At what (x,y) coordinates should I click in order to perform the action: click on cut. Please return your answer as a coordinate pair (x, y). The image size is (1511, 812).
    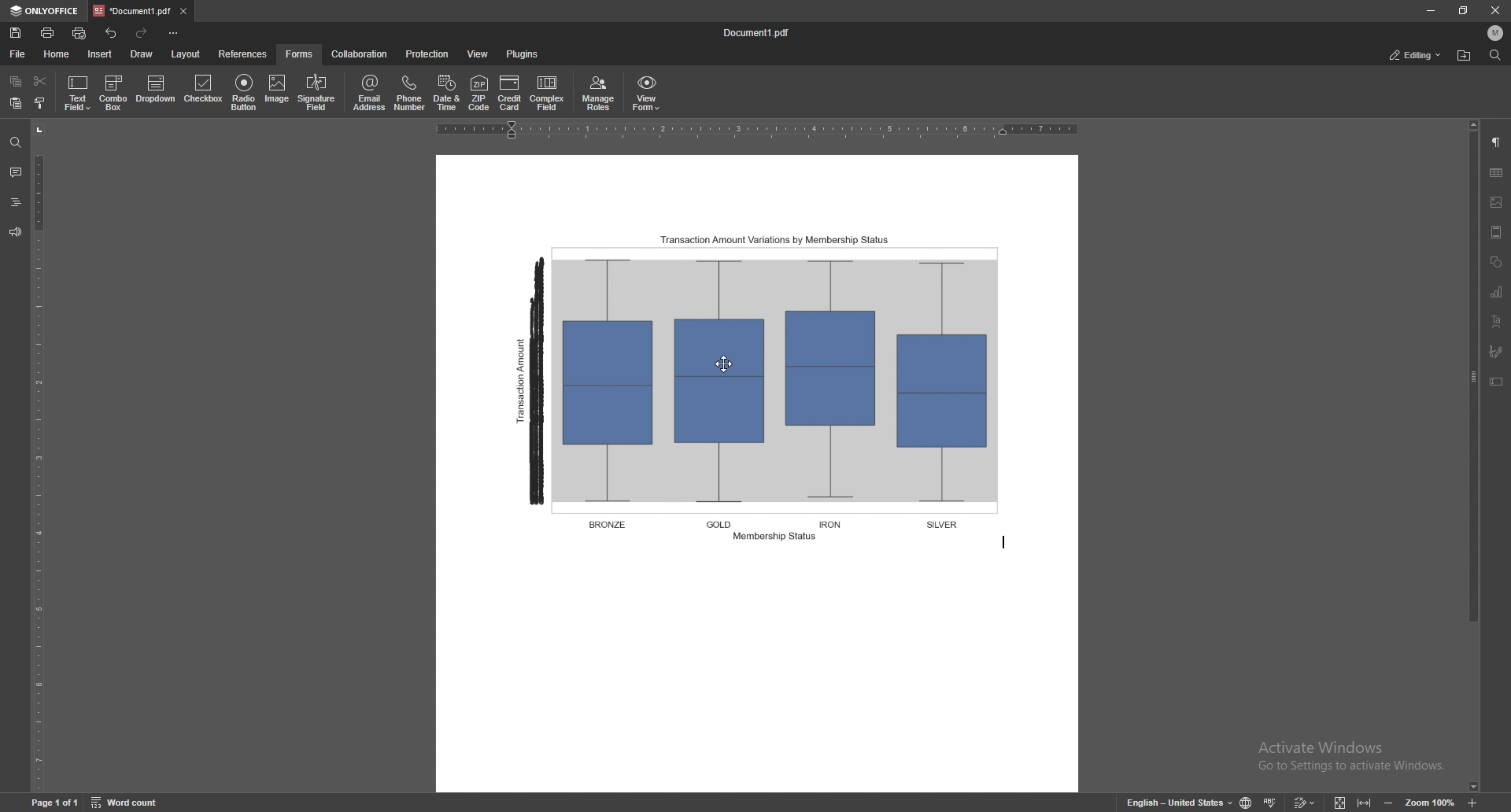
    Looking at the image, I should click on (40, 82).